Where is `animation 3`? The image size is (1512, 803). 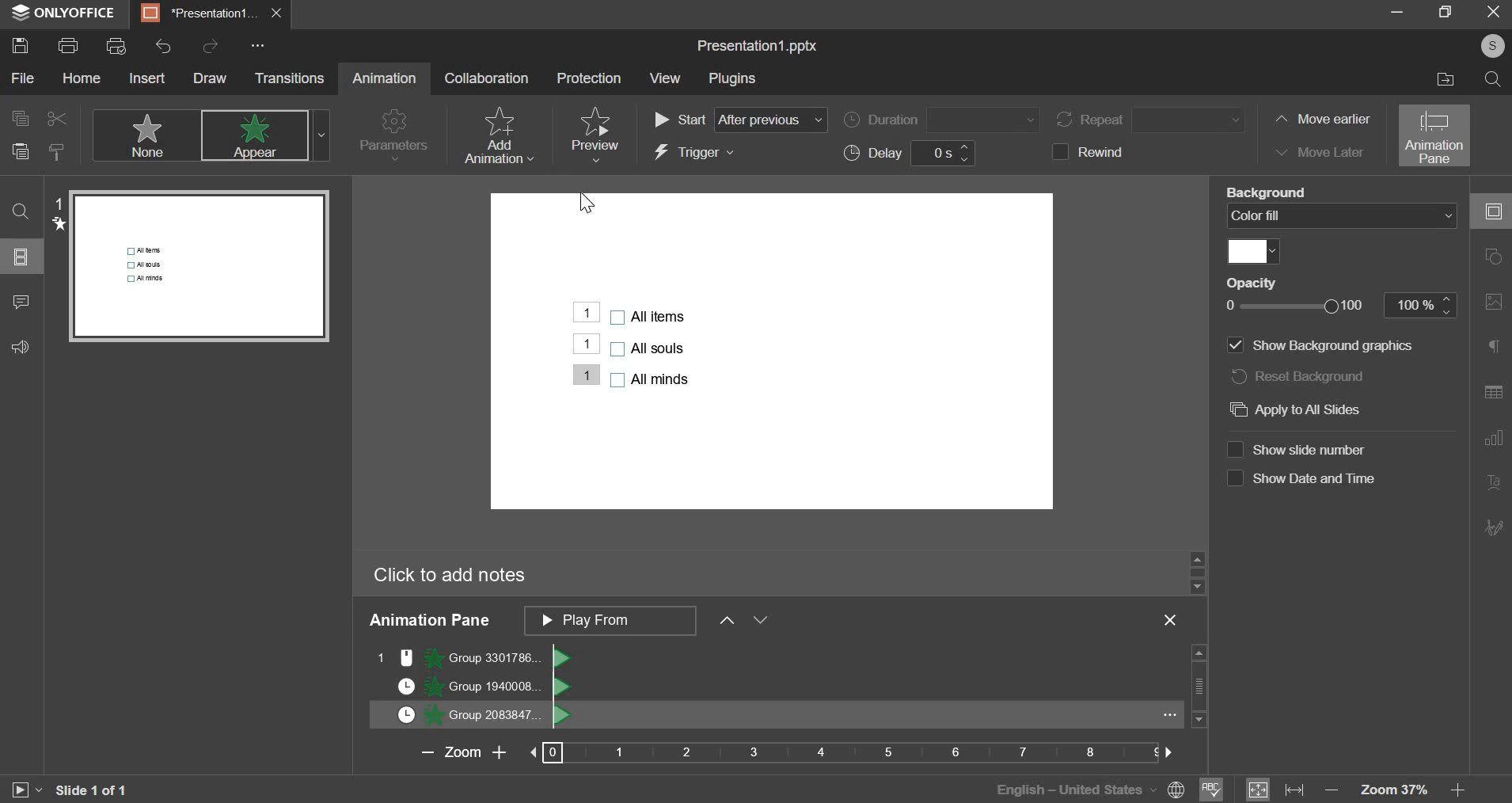 animation 3 is located at coordinates (471, 715).